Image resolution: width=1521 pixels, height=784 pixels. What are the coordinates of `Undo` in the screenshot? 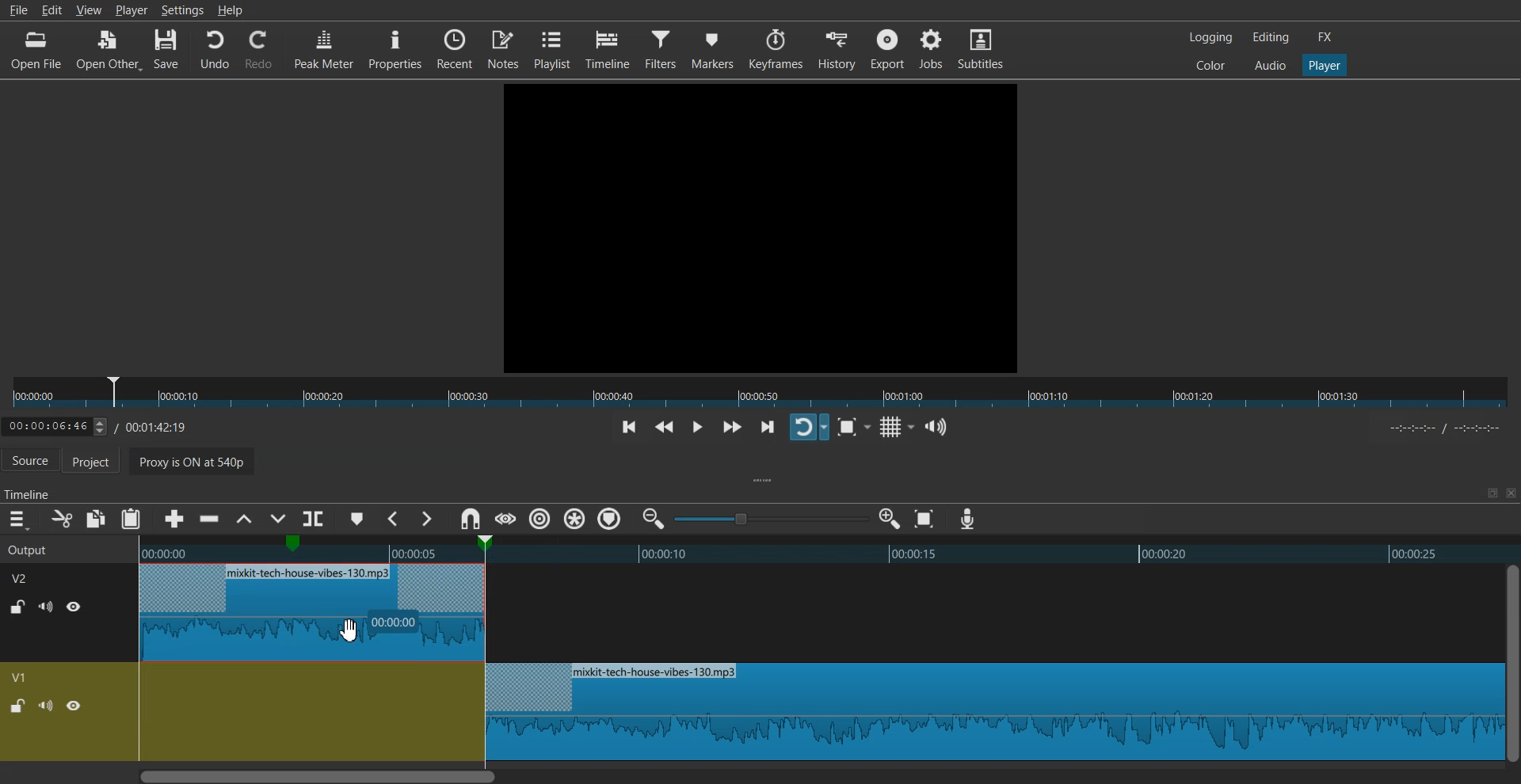 It's located at (215, 50).